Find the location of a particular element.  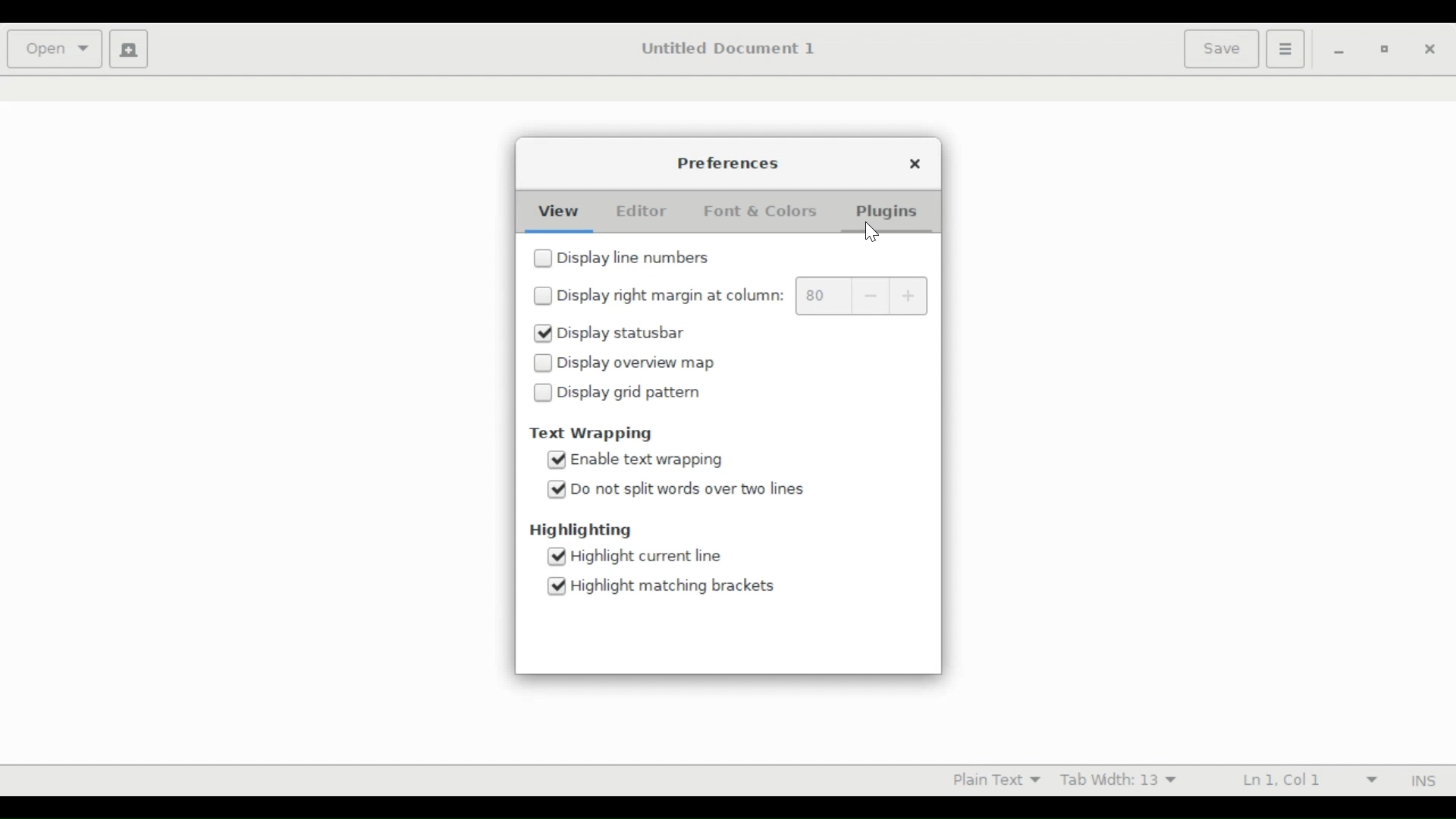

(un)check Enable text wrapping is located at coordinates (650, 462).